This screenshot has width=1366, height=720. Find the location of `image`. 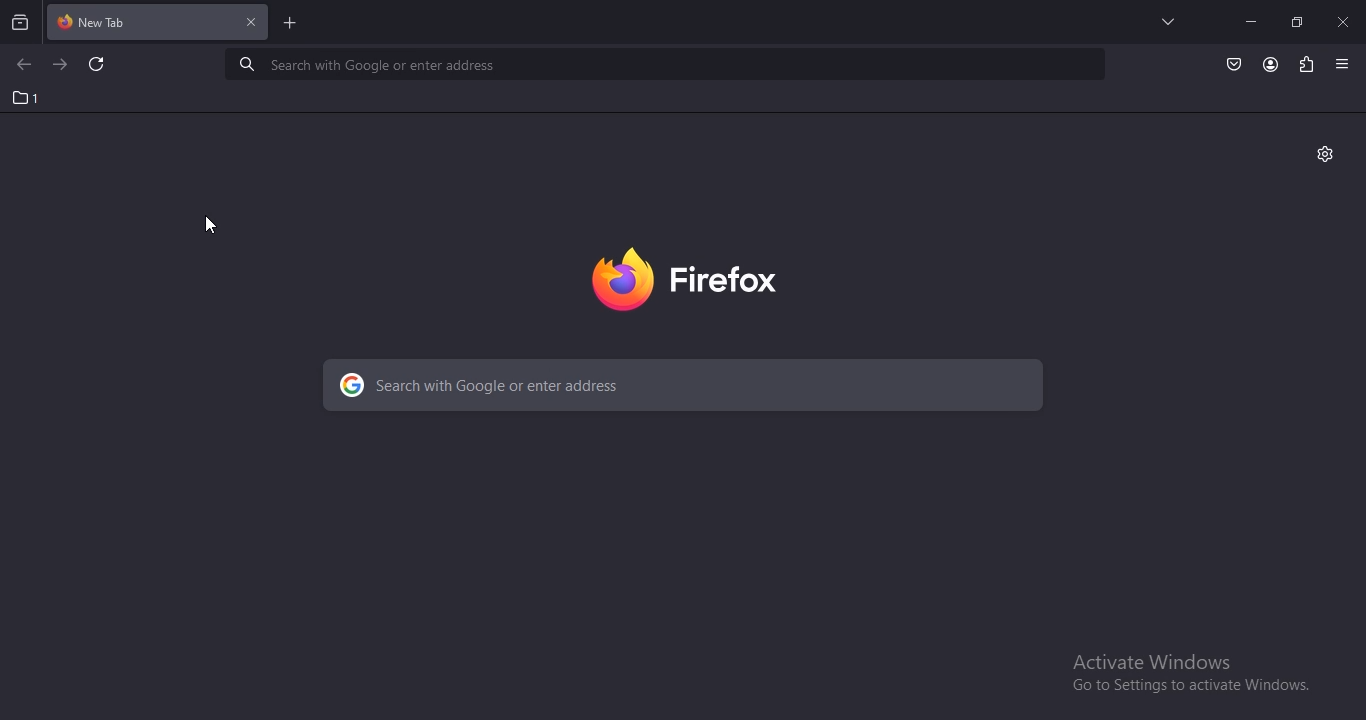

image is located at coordinates (706, 275).